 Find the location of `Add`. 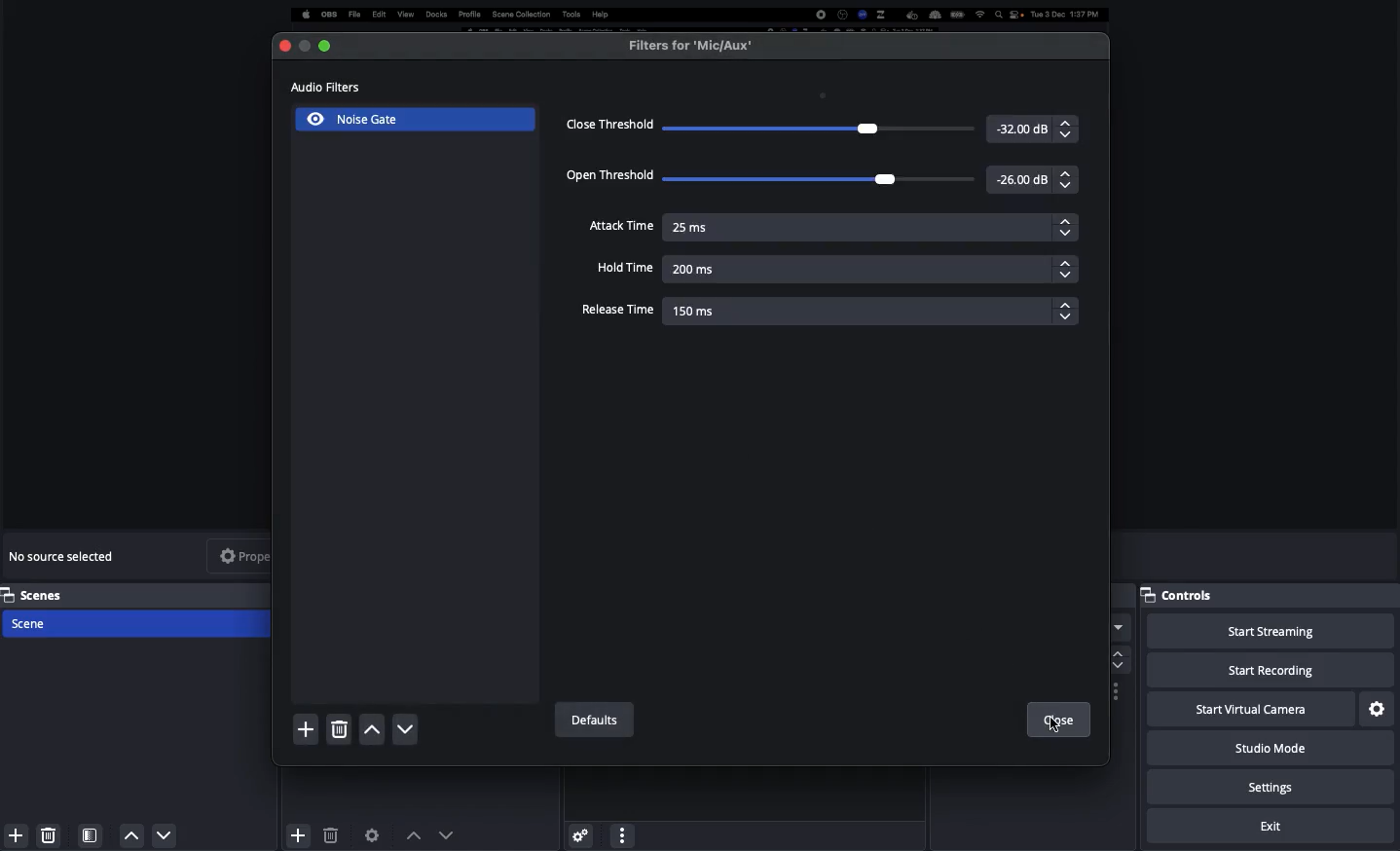

Add is located at coordinates (13, 835).